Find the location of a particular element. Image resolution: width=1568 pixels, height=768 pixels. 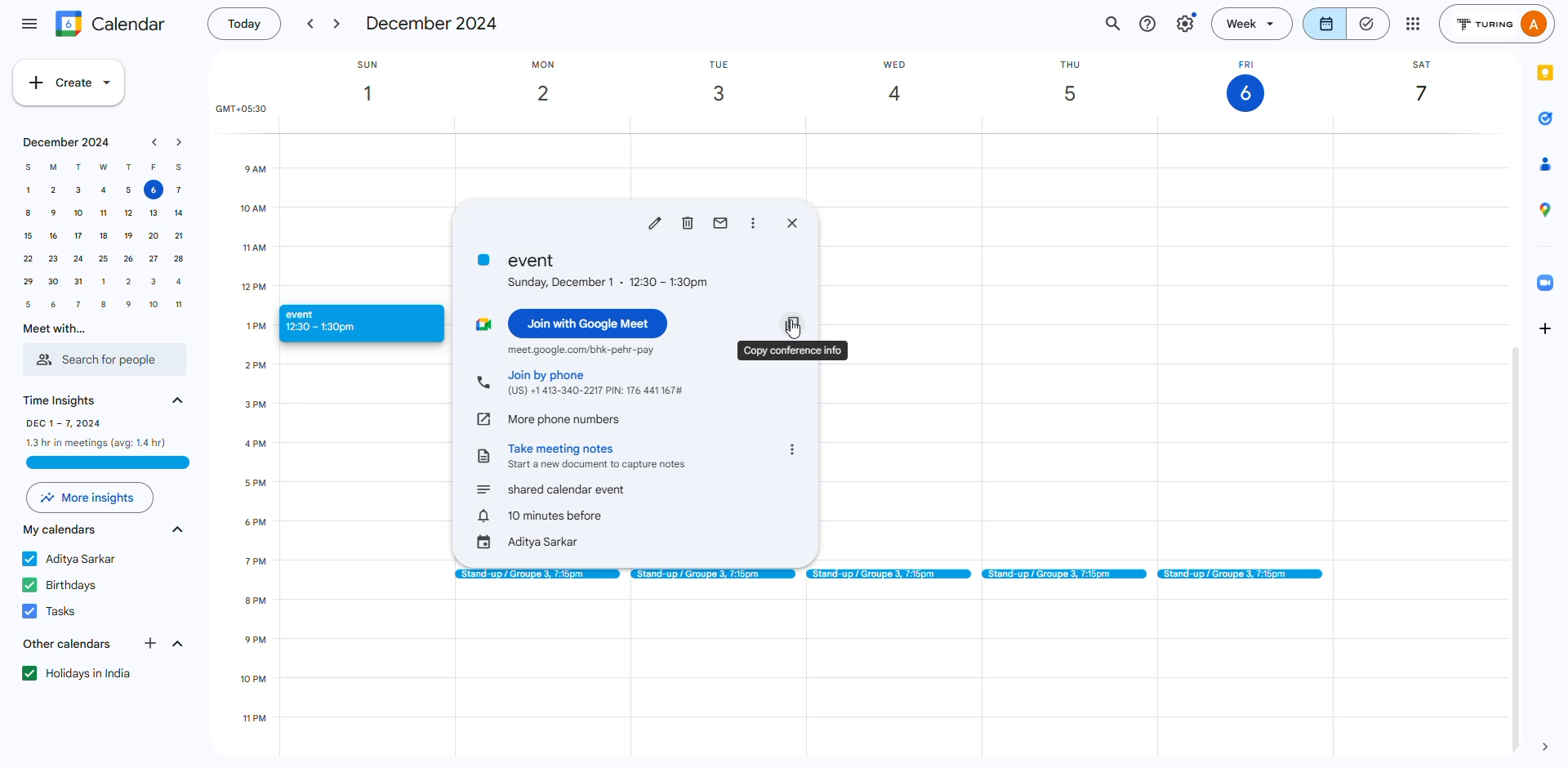

name is located at coordinates (73, 557).